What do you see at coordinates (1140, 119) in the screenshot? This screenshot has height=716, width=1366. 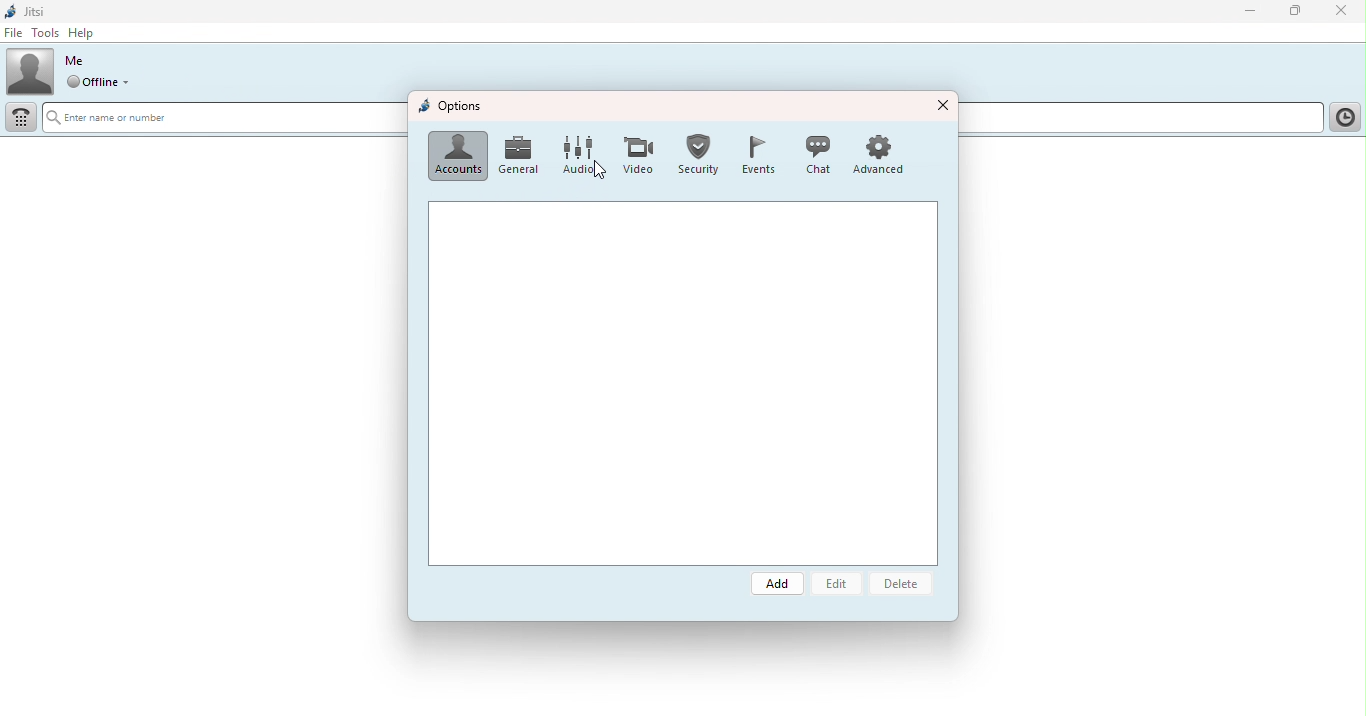 I see `enter name or number` at bounding box center [1140, 119].